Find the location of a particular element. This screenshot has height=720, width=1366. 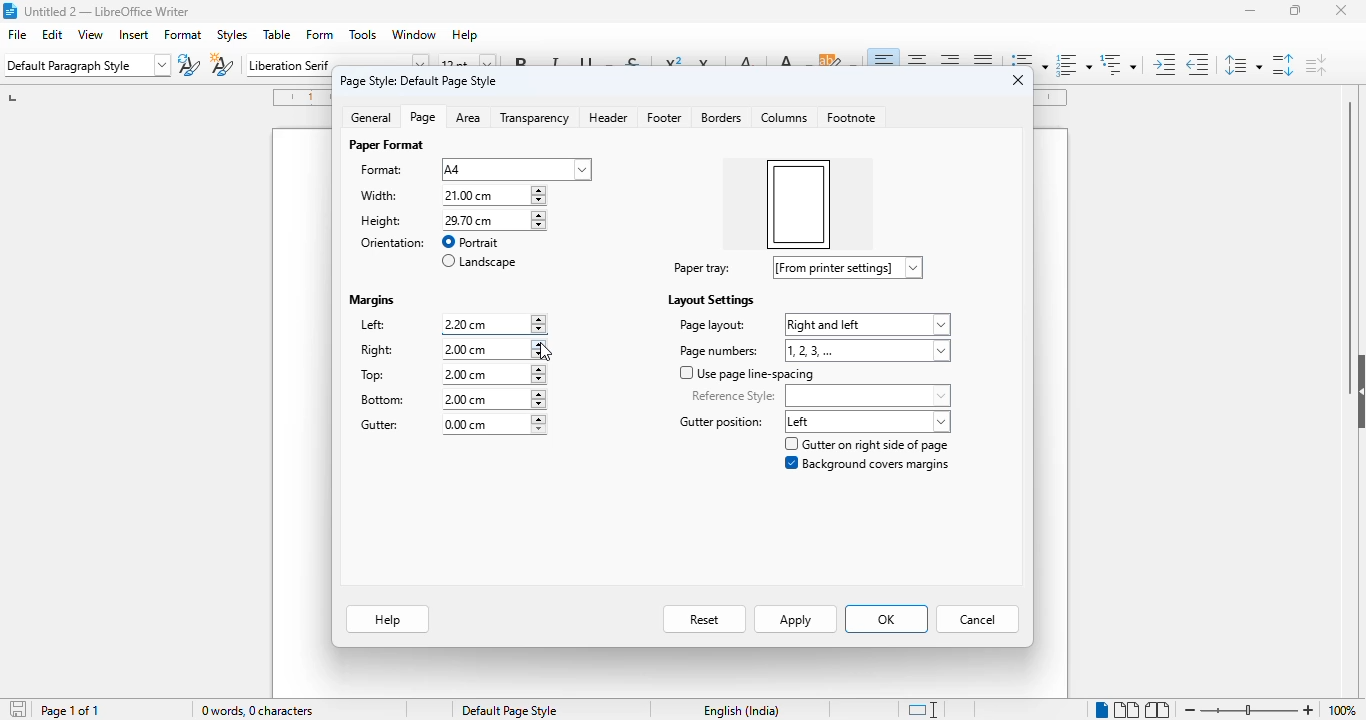

left:  is located at coordinates (374, 325).